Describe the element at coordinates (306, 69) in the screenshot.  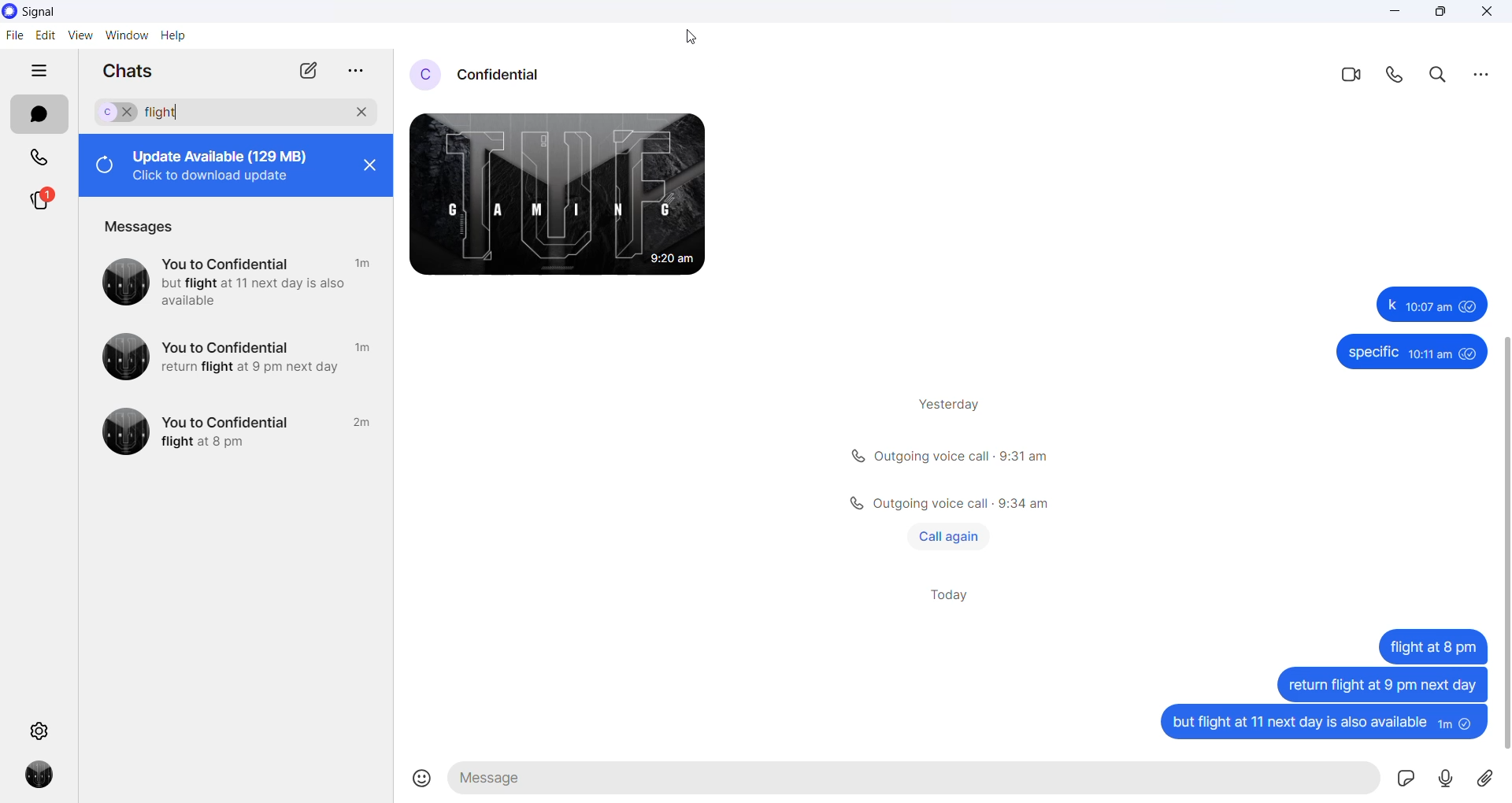
I see `new chat` at that location.